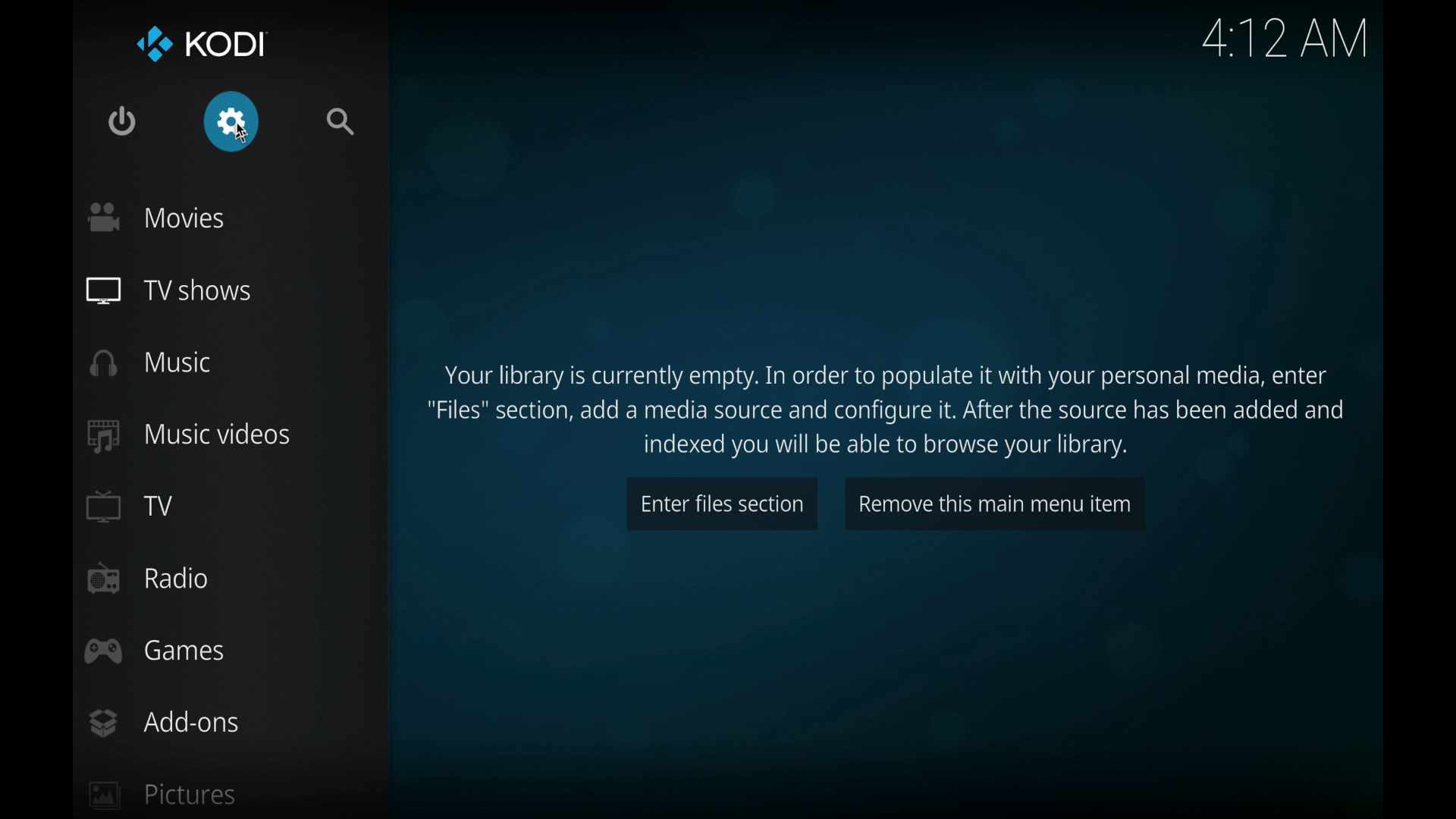 The image size is (1456, 819). I want to click on cursor, so click(249, 139).